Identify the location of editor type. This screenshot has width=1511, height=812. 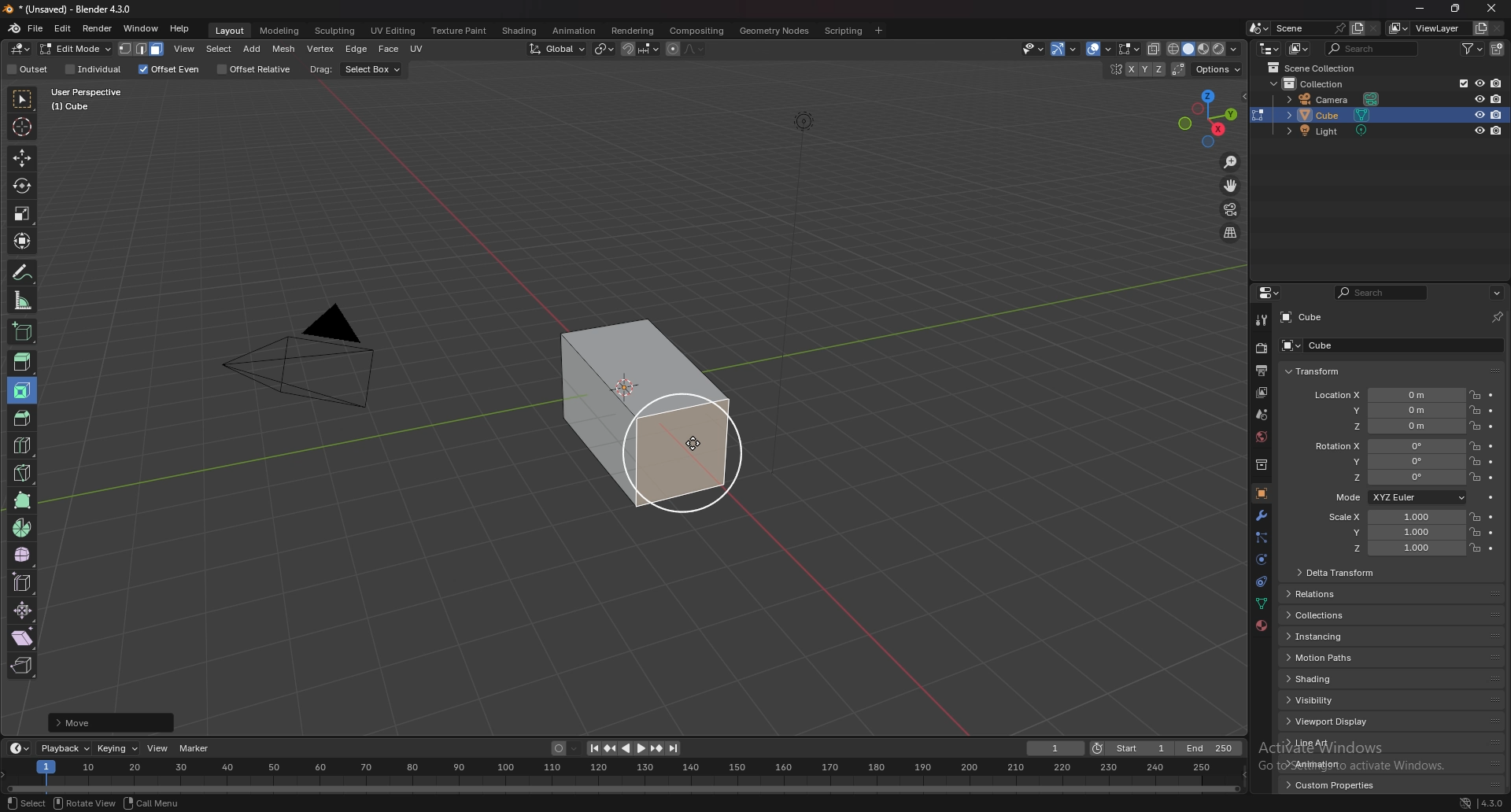
(18, 749).